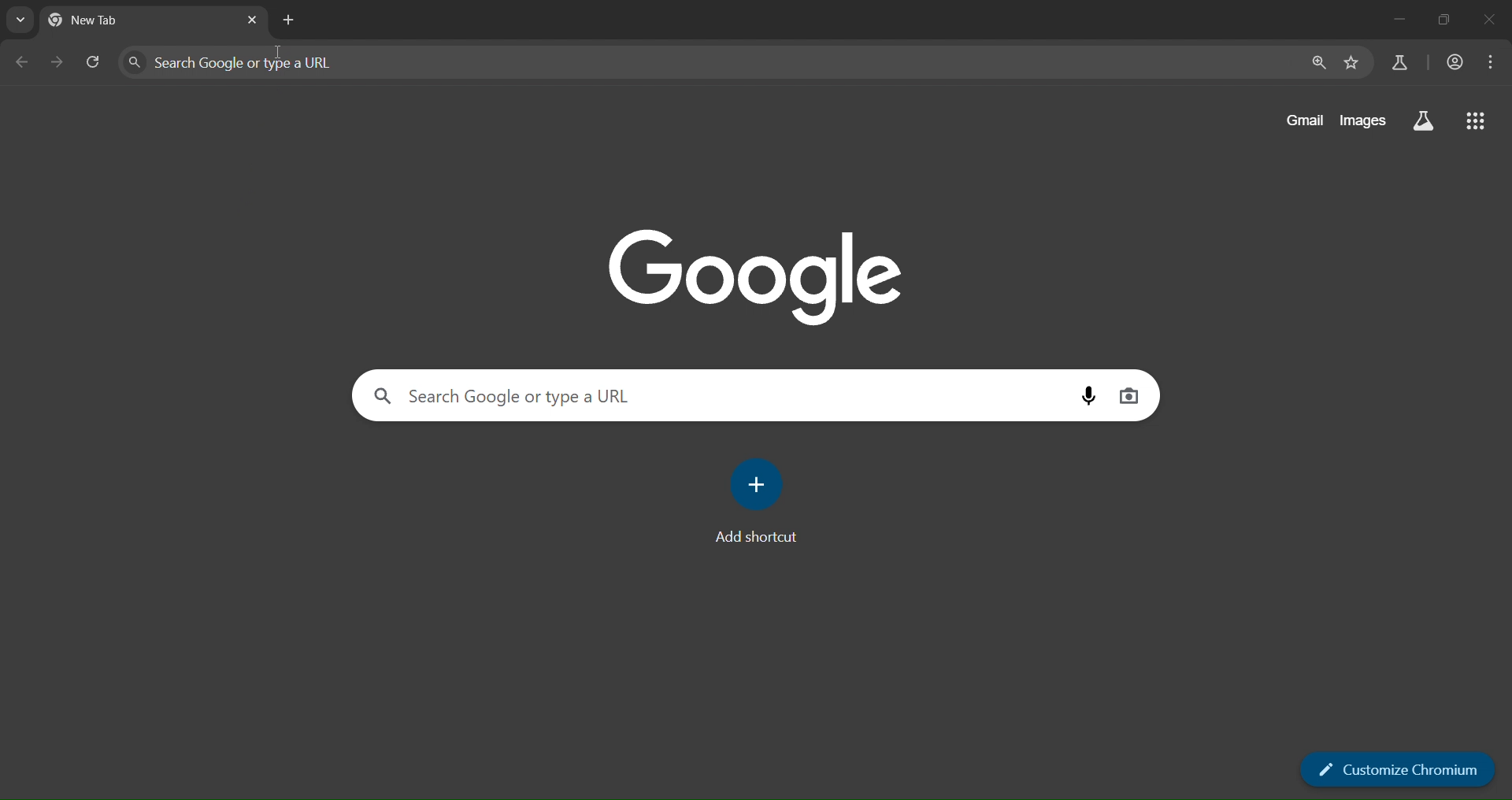  Describe the element at coordinates (1396, 64) in the screenshot. I see `search labs` at that location.